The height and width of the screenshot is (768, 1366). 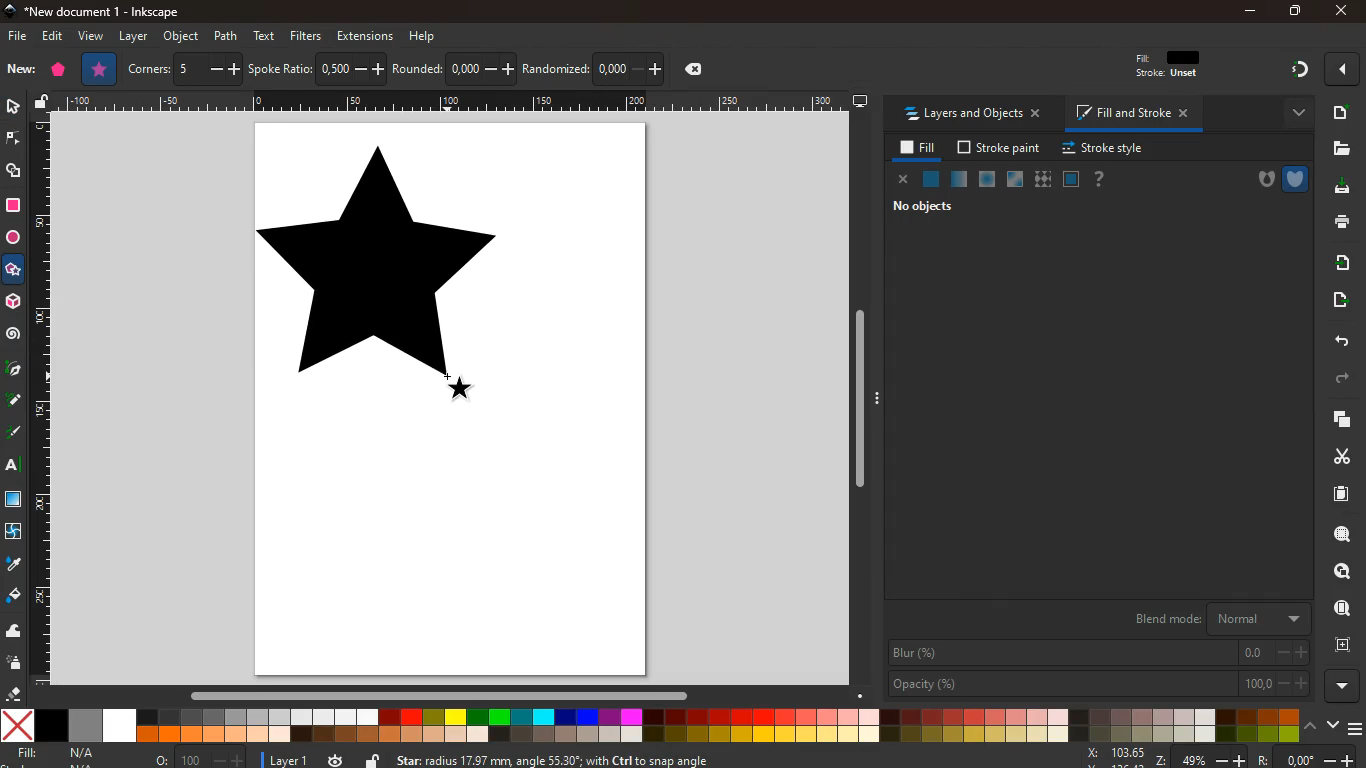 I want to click on files, so click(x=1337, y=148).